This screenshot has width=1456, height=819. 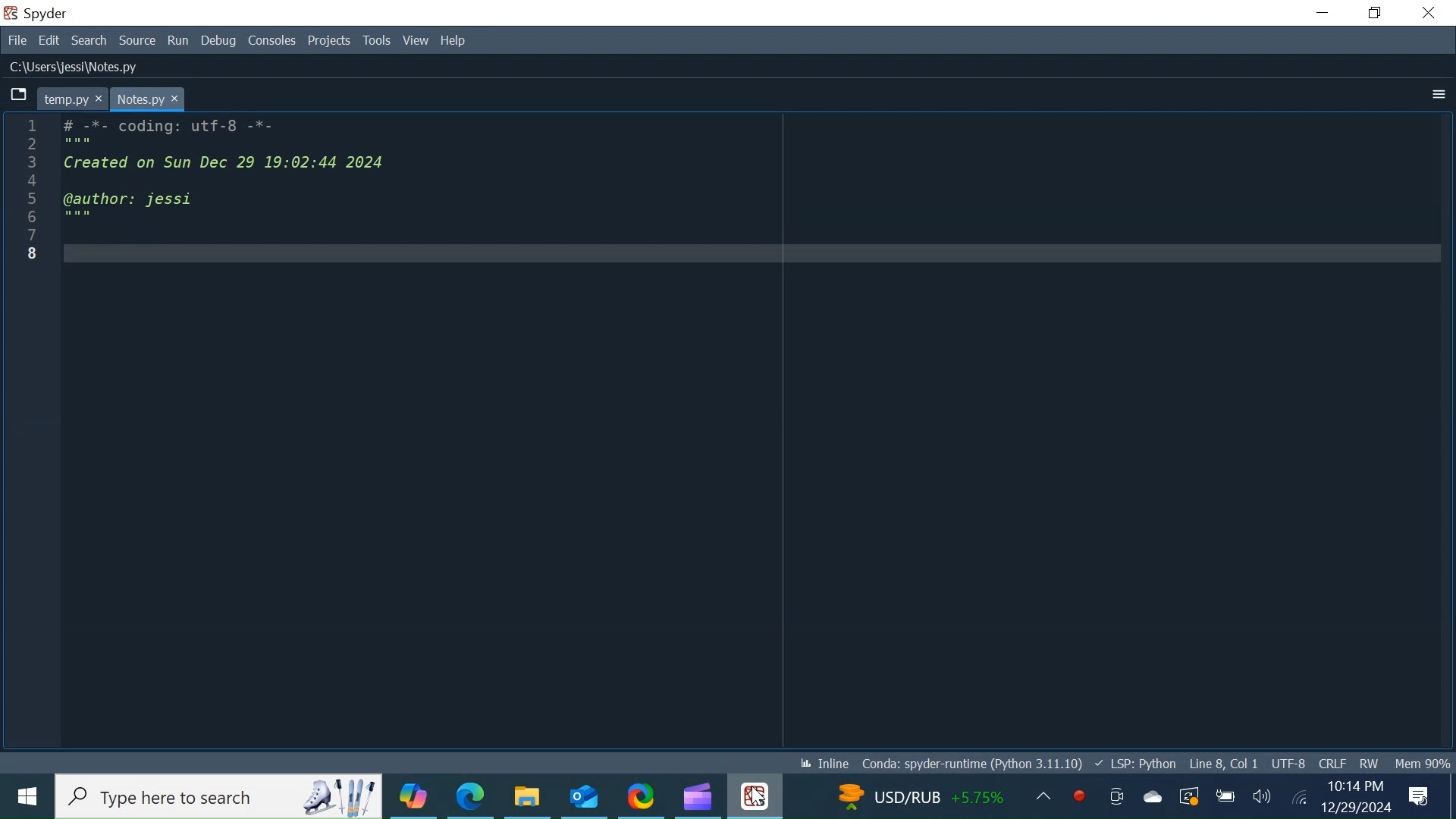 I want to click on Restart Updates, so click(x=1188, y=795).